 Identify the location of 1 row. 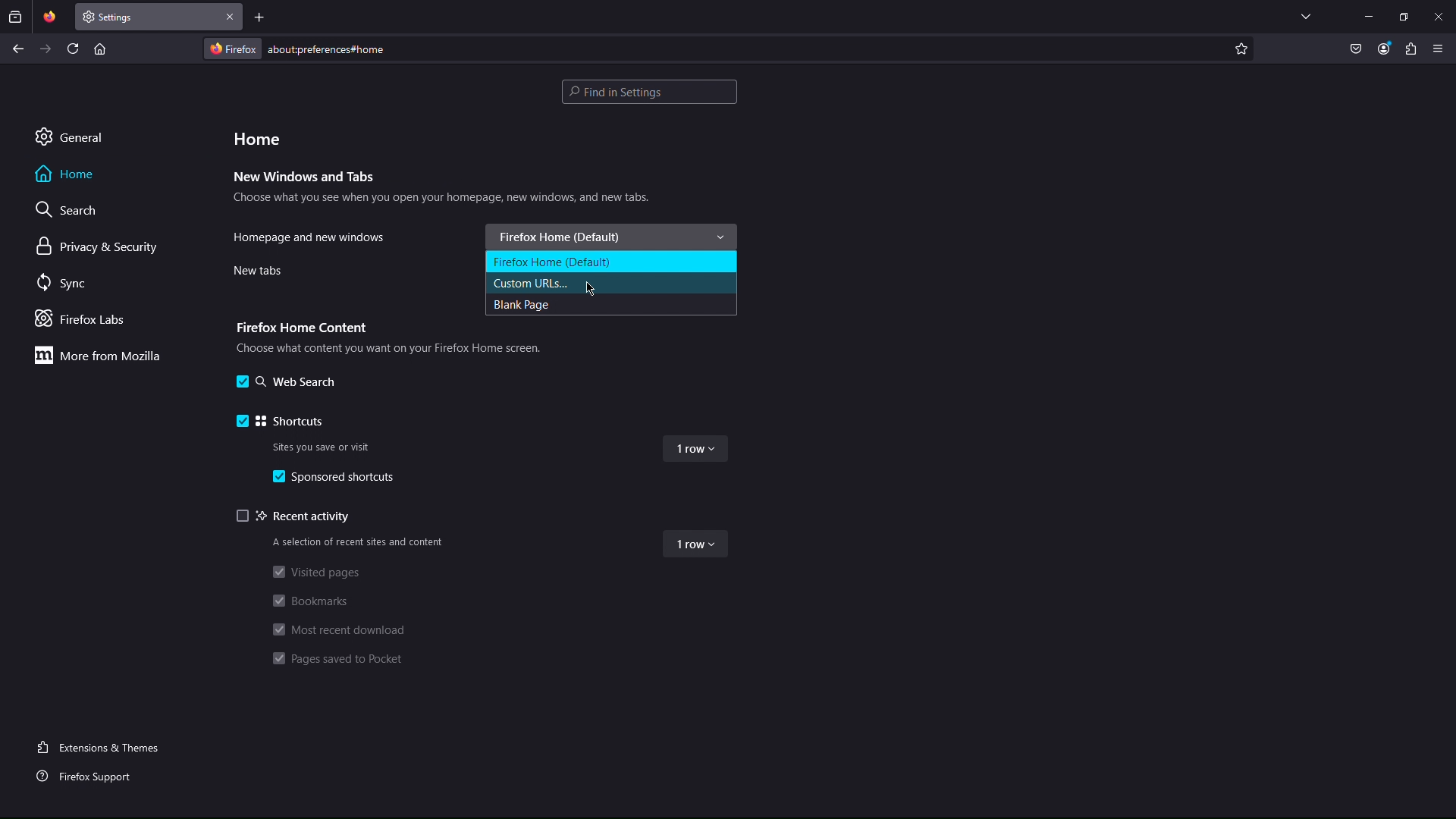
(696, 546).